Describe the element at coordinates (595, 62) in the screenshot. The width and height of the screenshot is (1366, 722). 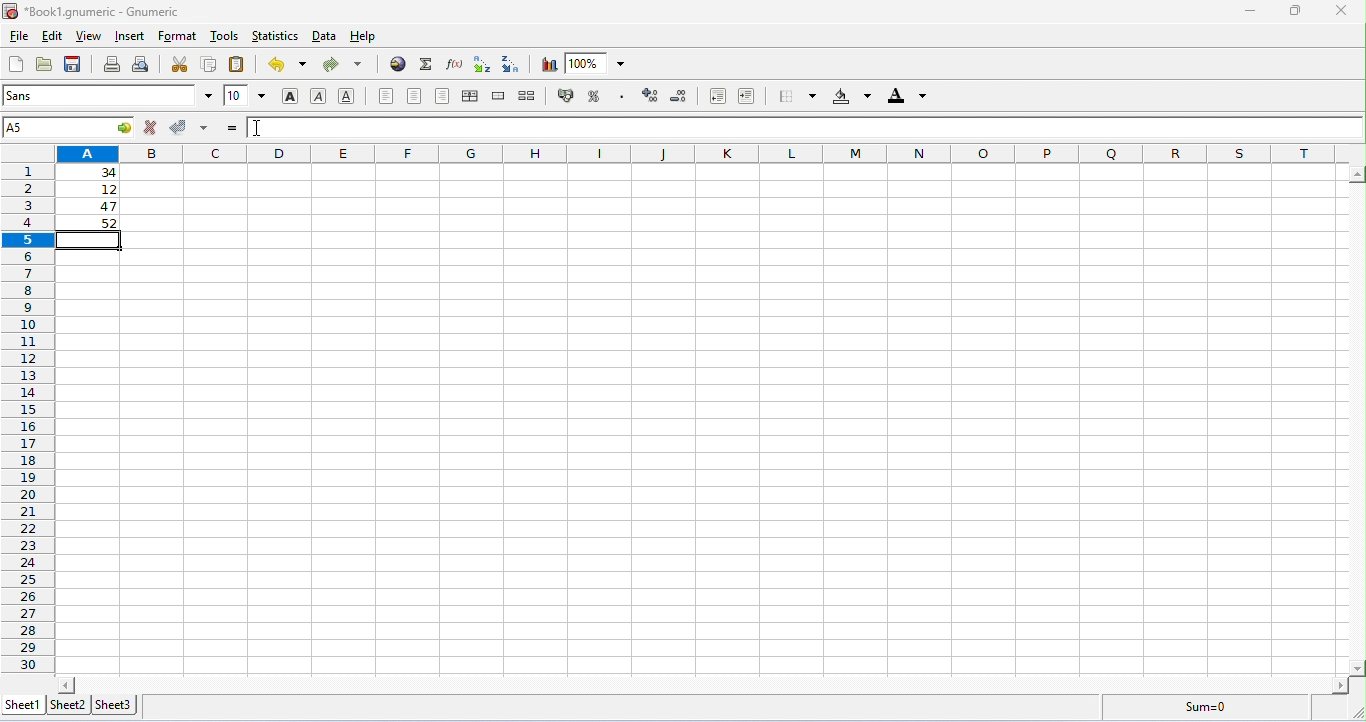
I see `zoom` at that location.